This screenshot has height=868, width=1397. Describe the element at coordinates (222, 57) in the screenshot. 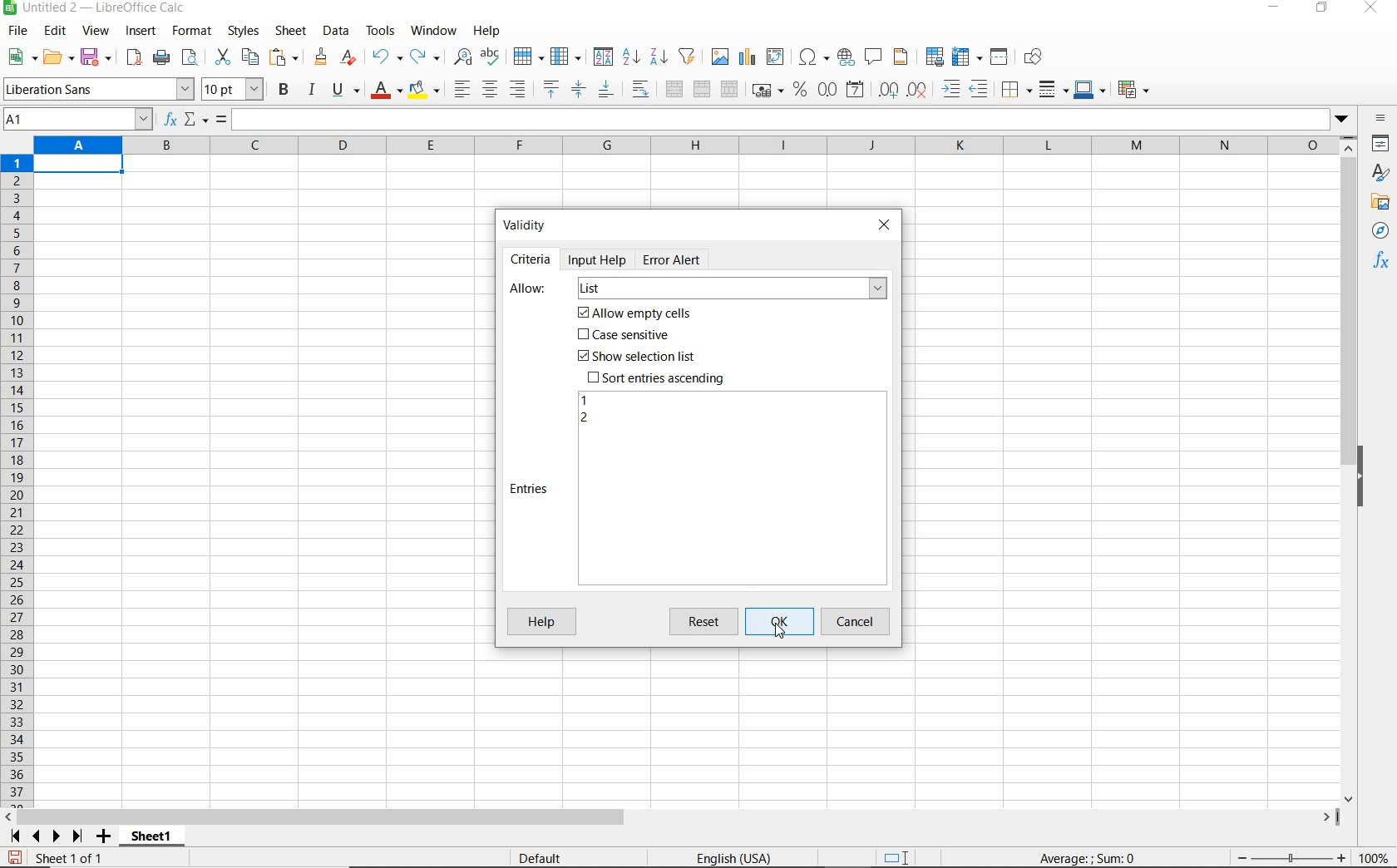

I see `cut` at that location.